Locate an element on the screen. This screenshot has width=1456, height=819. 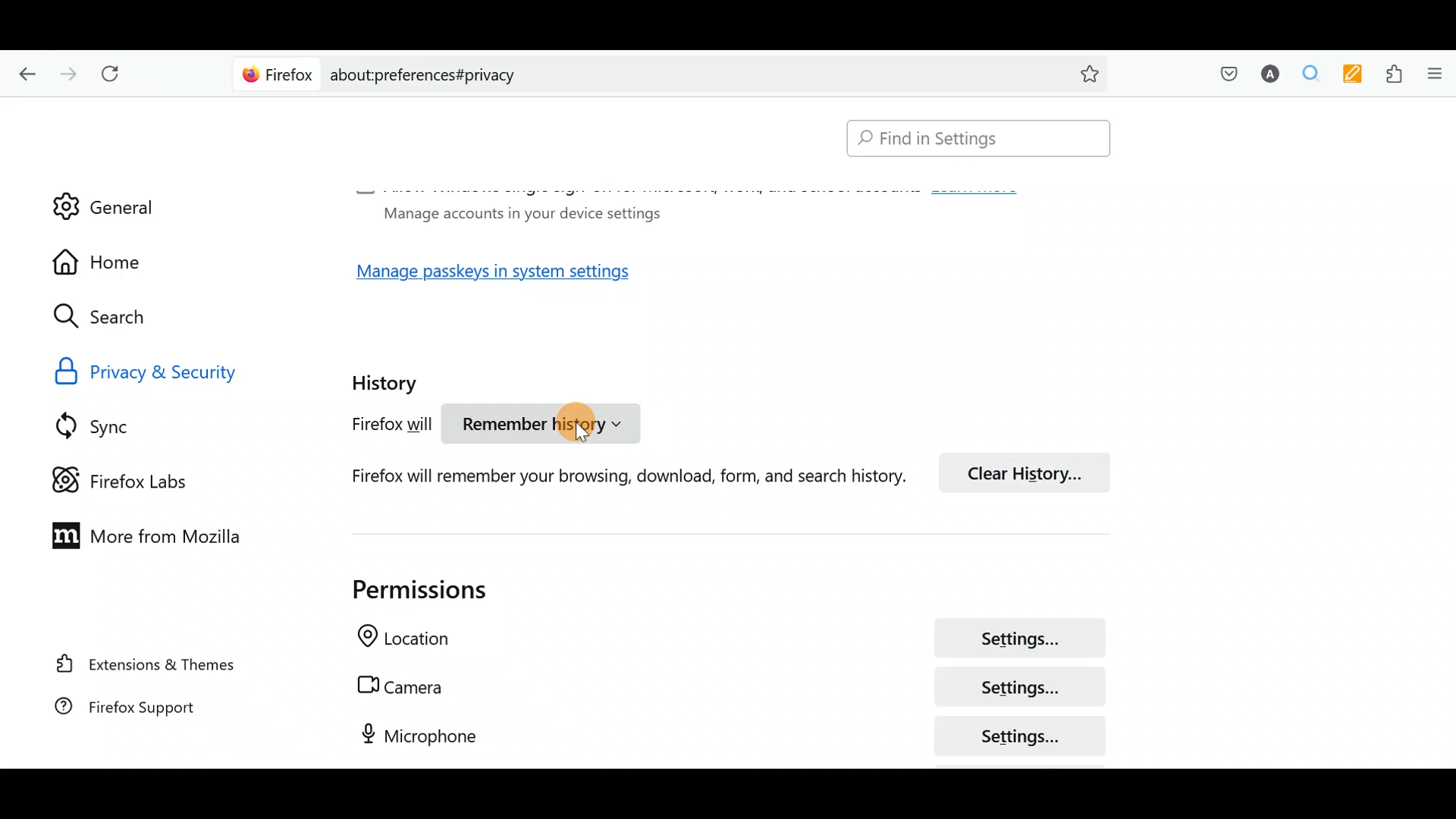
Extensions is located at coordinates (1390, 74).